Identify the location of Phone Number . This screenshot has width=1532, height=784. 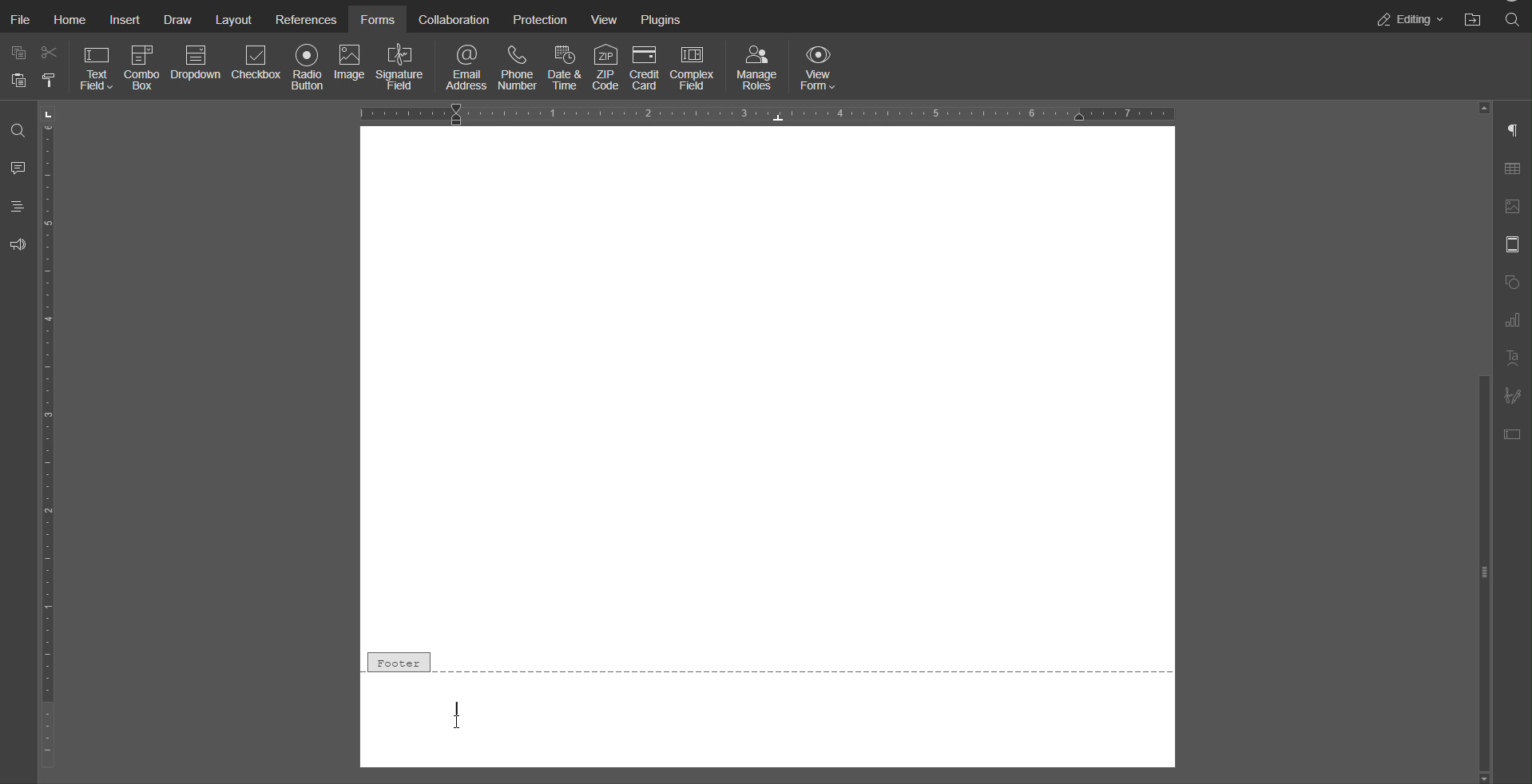
(516, 66).